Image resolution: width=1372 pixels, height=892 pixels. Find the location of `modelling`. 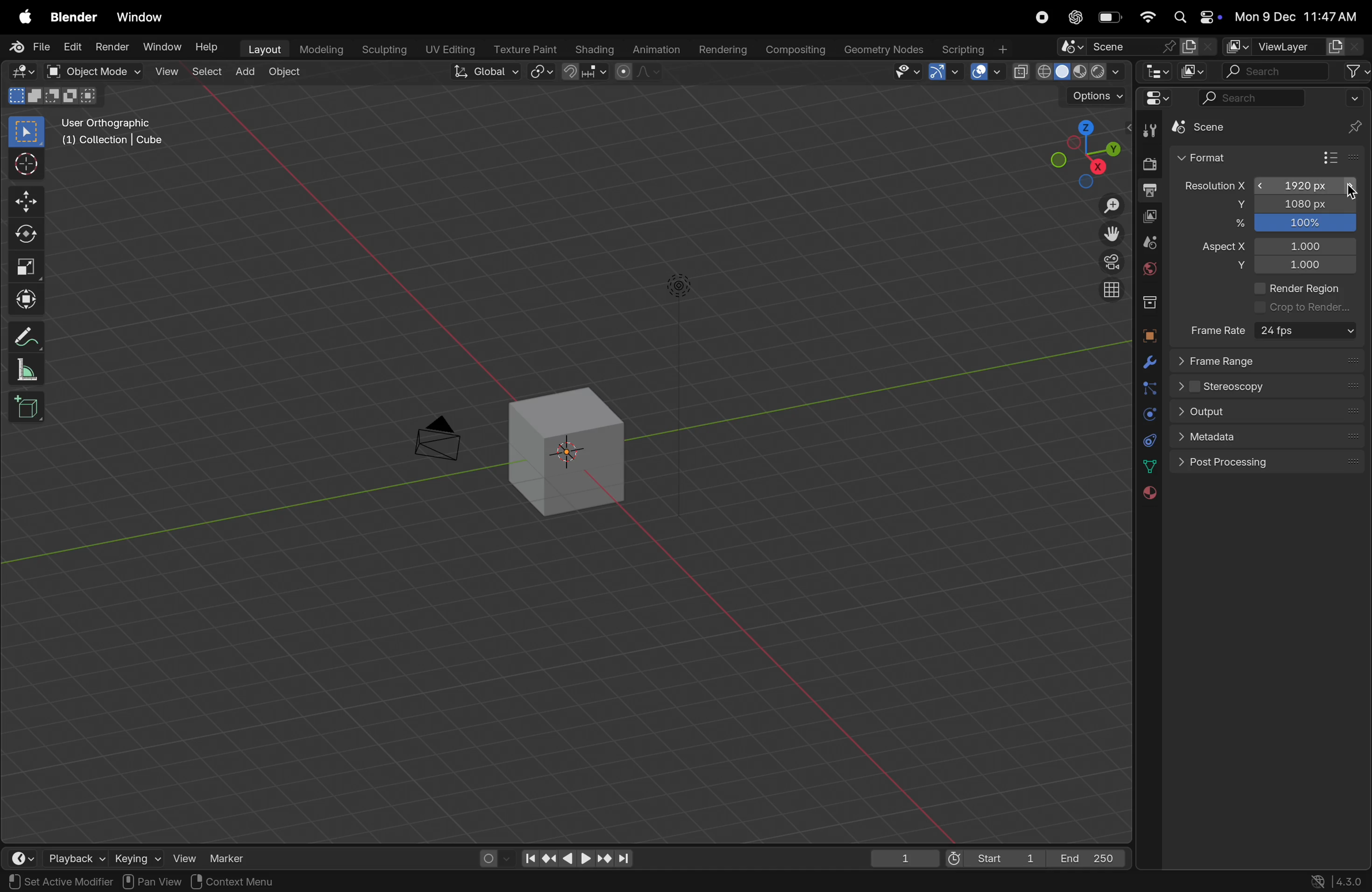

modelling is located at coordinates (319, 48).